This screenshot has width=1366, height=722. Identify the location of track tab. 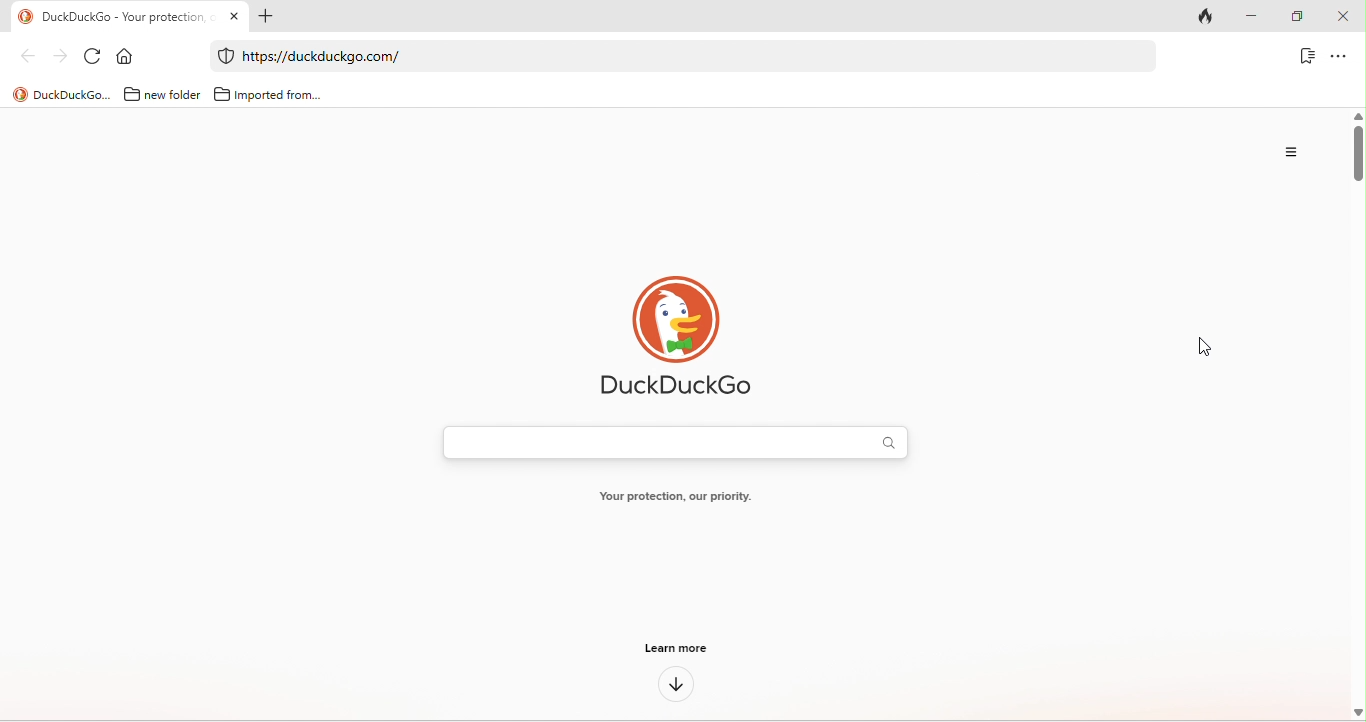
(1211, 15).